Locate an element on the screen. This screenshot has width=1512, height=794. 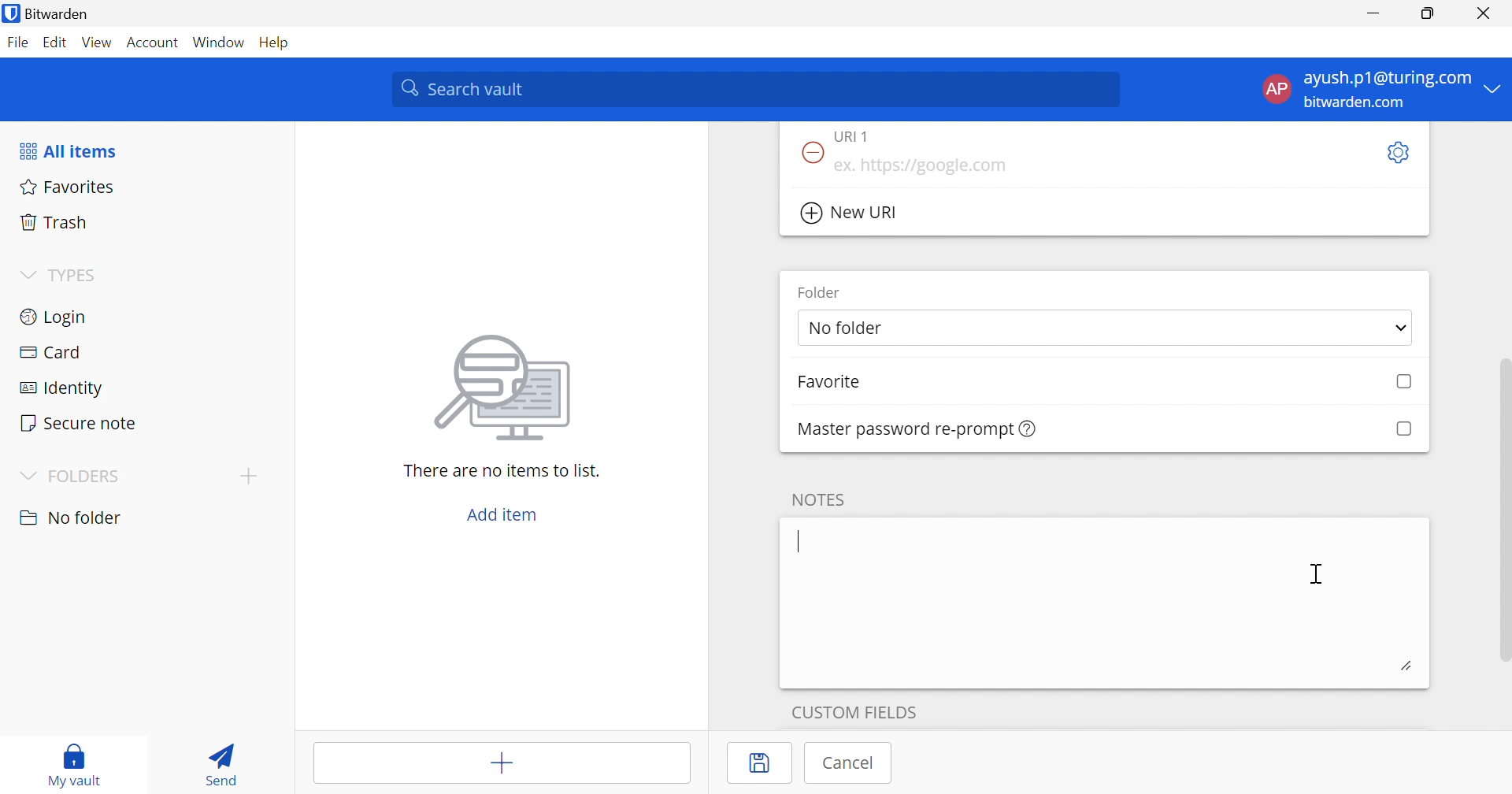
FOLDERS is located at coordinates (87, 477).